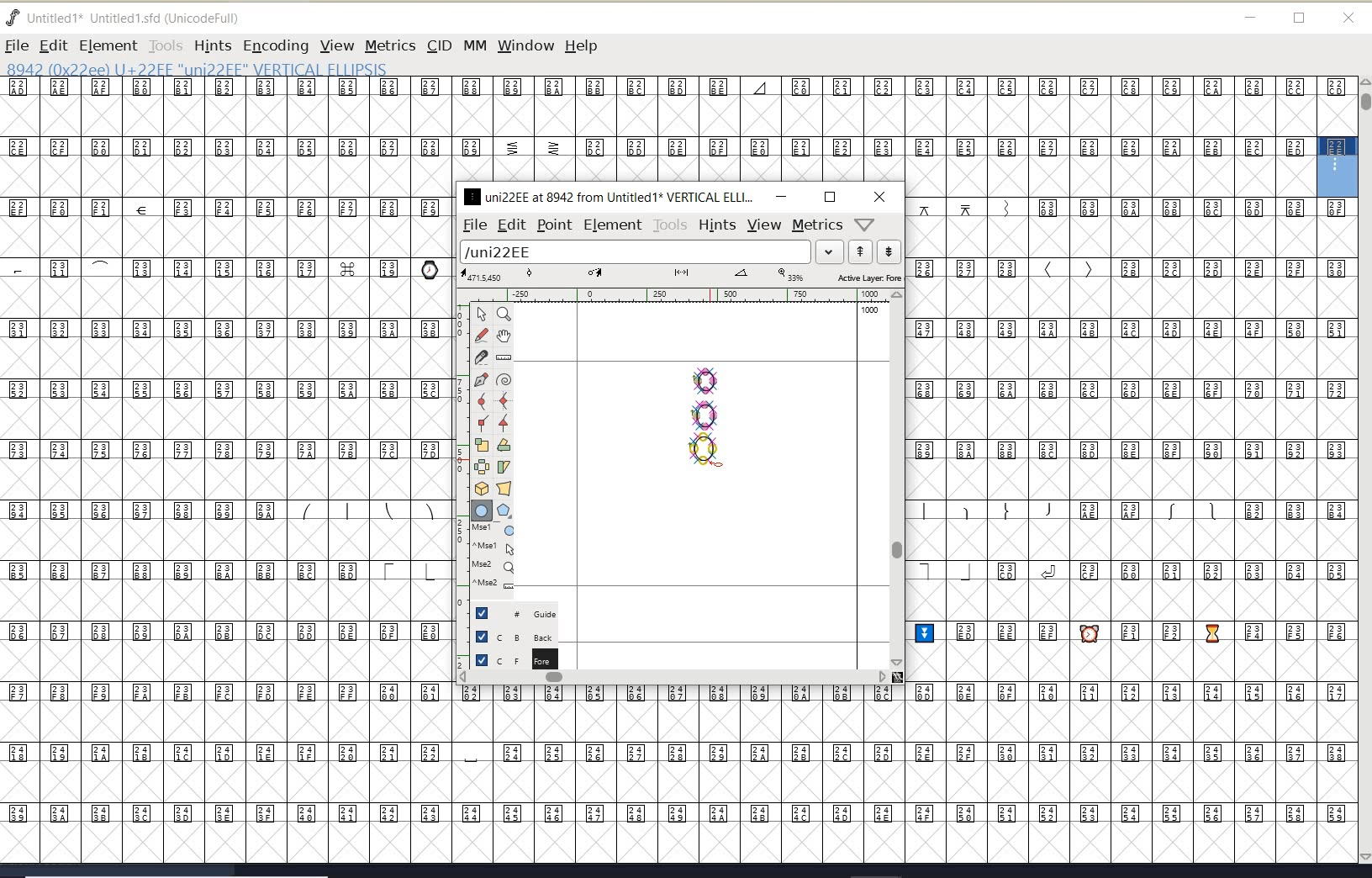 Image resolution: width=1372 pixels, height=878 pixels. Describe the element at coordinates (502, 420) in the screenshot. I see `add a tangent point` at that location.